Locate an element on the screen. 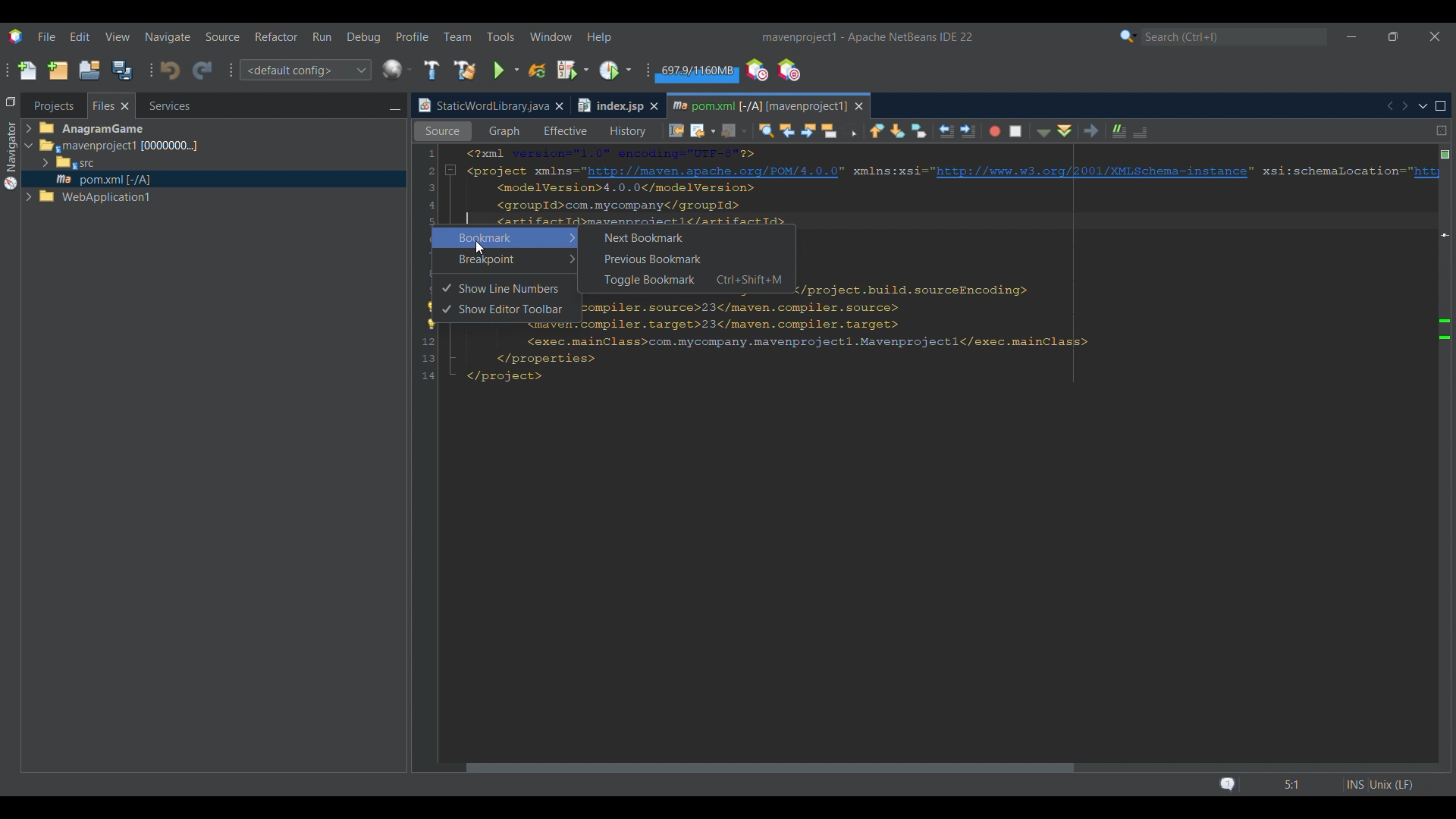 The width and height of the screenshot is (1456, 819). Convert to release option after strict compatibility checks is located at coordinates (1445, 329).